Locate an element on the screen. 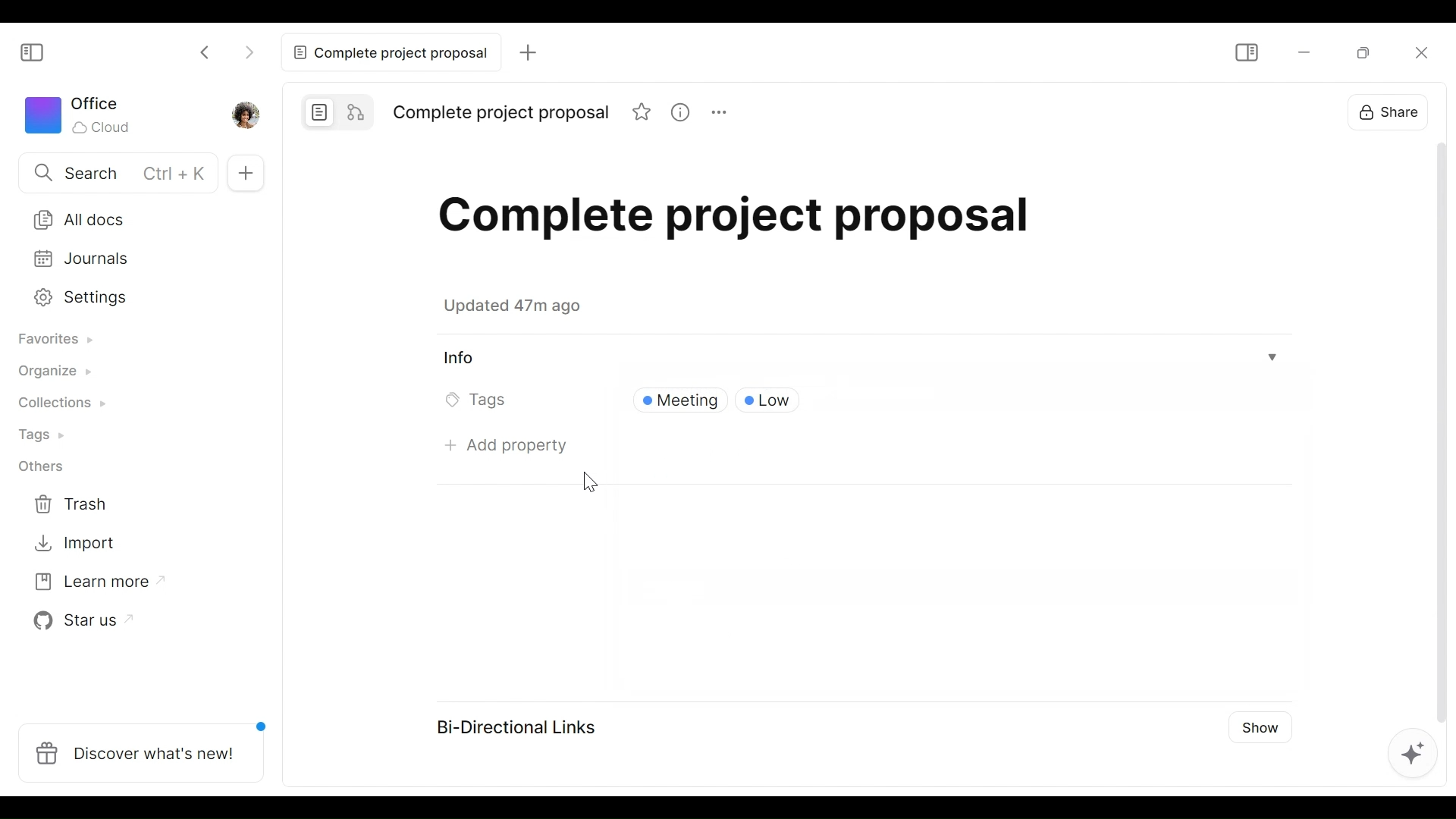 Image resolution: width=1456 pixels, height=819 pixels. Updated 47m ago is located at coordinates (521, 309).